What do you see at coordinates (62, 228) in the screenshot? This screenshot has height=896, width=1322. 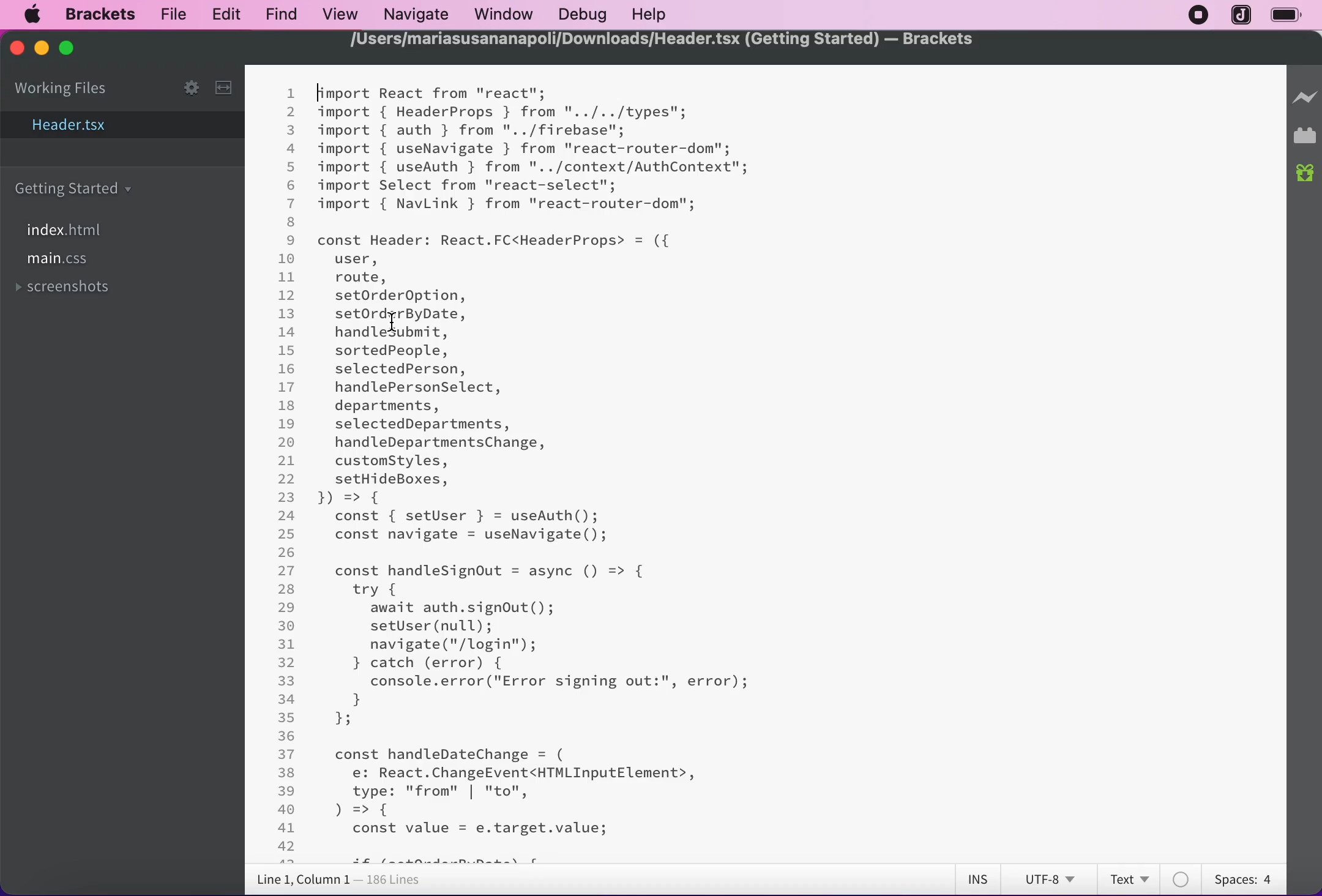 I see `index.html` at bounding box center [62, 228].